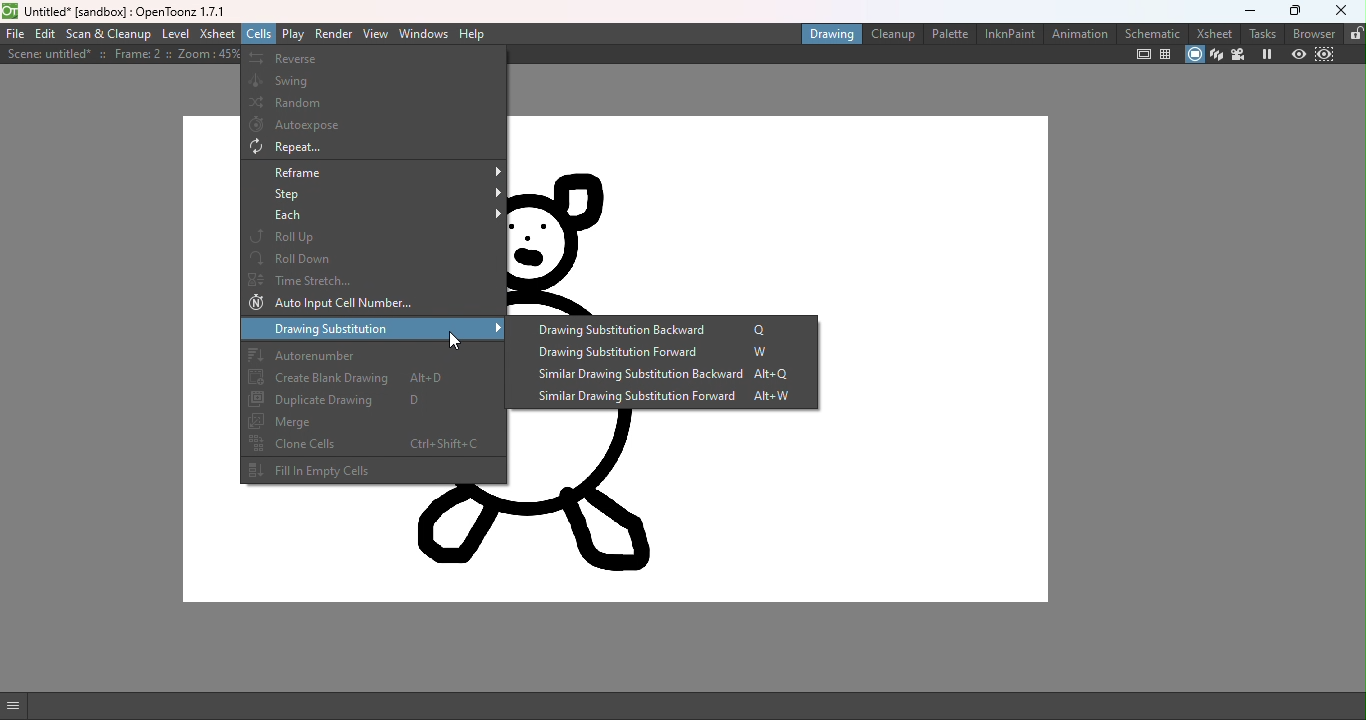 This screenshot has height=720, width=1366. I want to click on Windows, so click(425, 34).